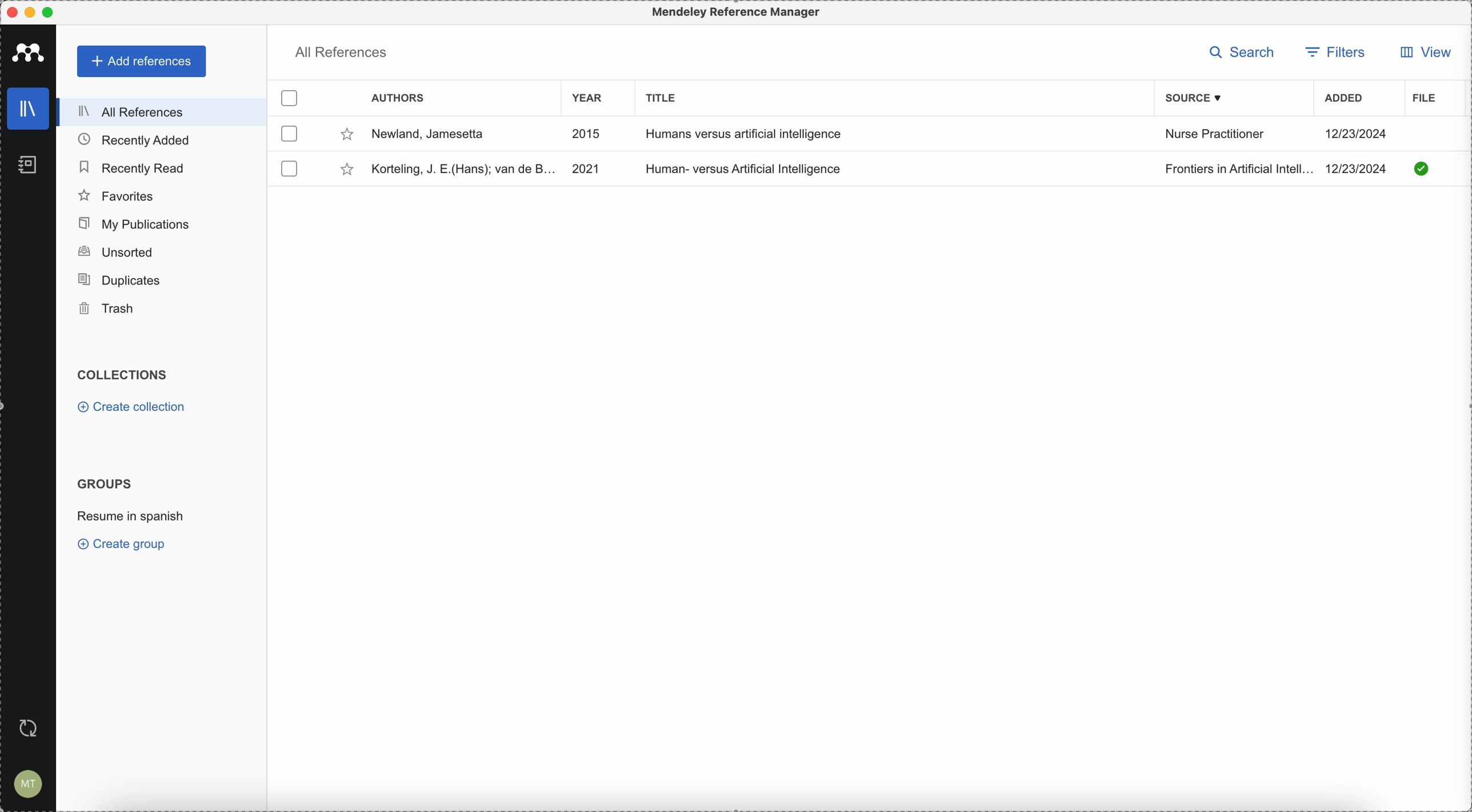 The height and width of the screenshot is (812, 1472). Describe the element at coordinates (123, 375) in the screenshot. I see `collections` at that location.